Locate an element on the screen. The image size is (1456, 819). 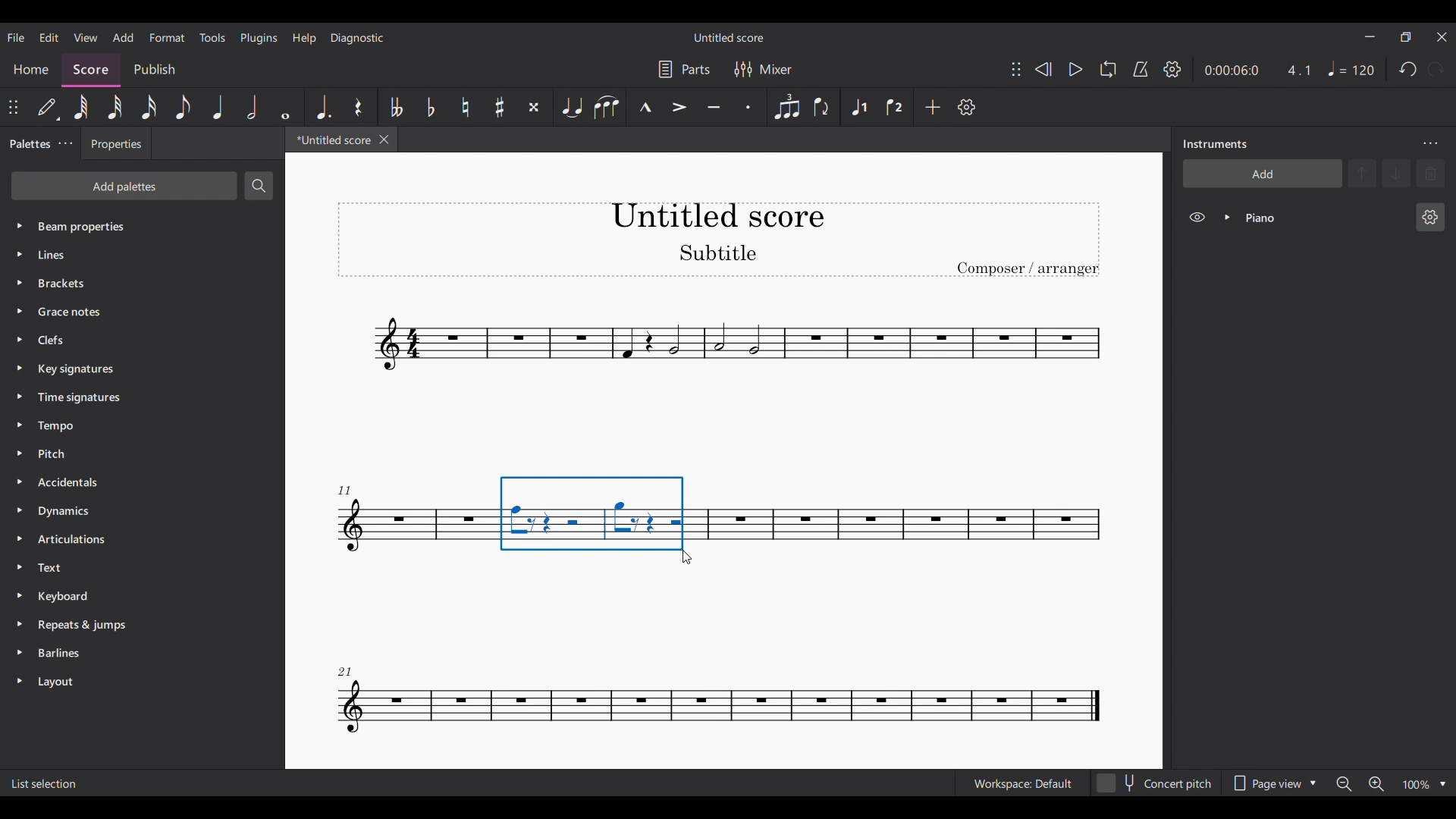
Untitled score is located at coordinates (728, 37).